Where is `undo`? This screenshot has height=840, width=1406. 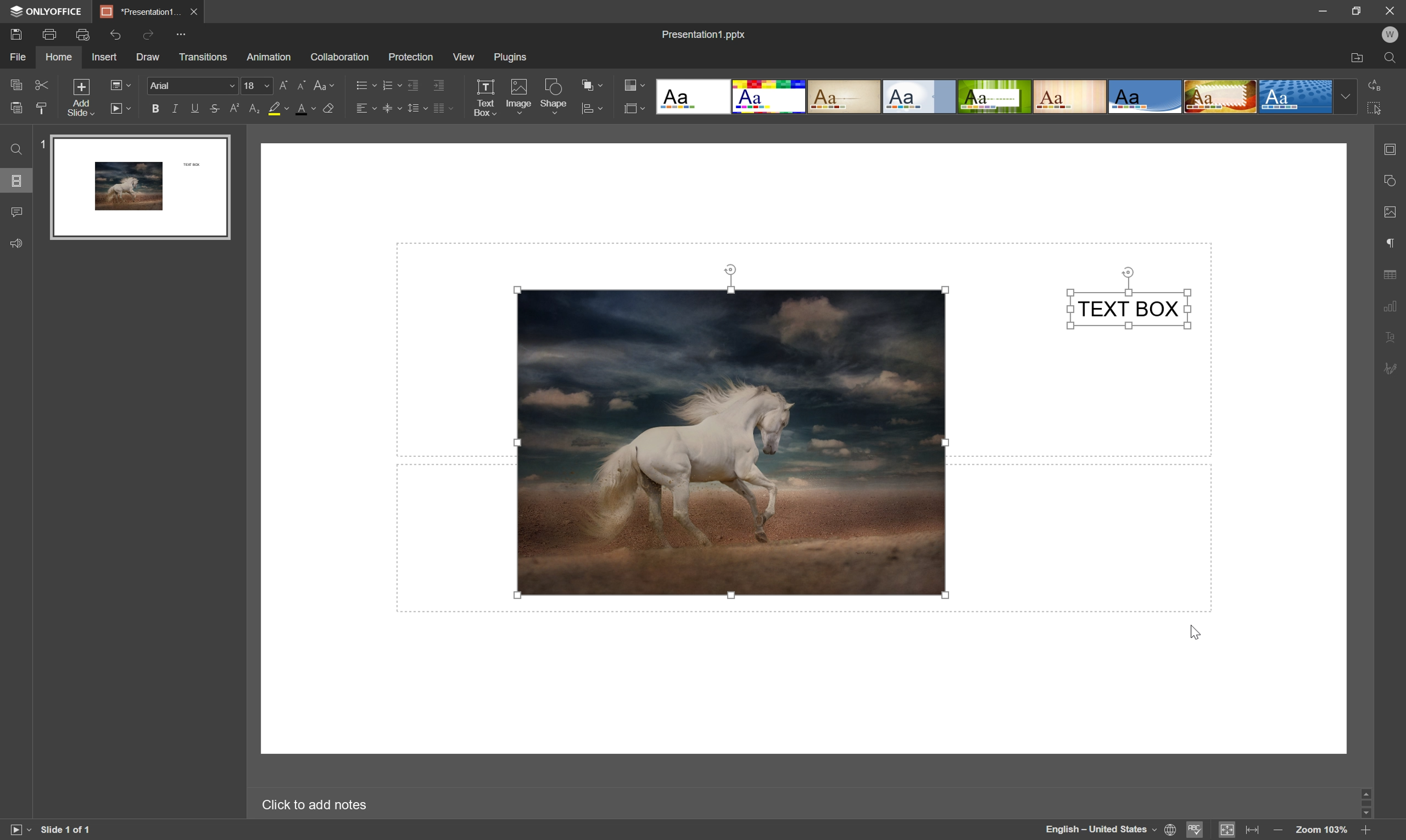 undo is located at coordinates (115, 36).